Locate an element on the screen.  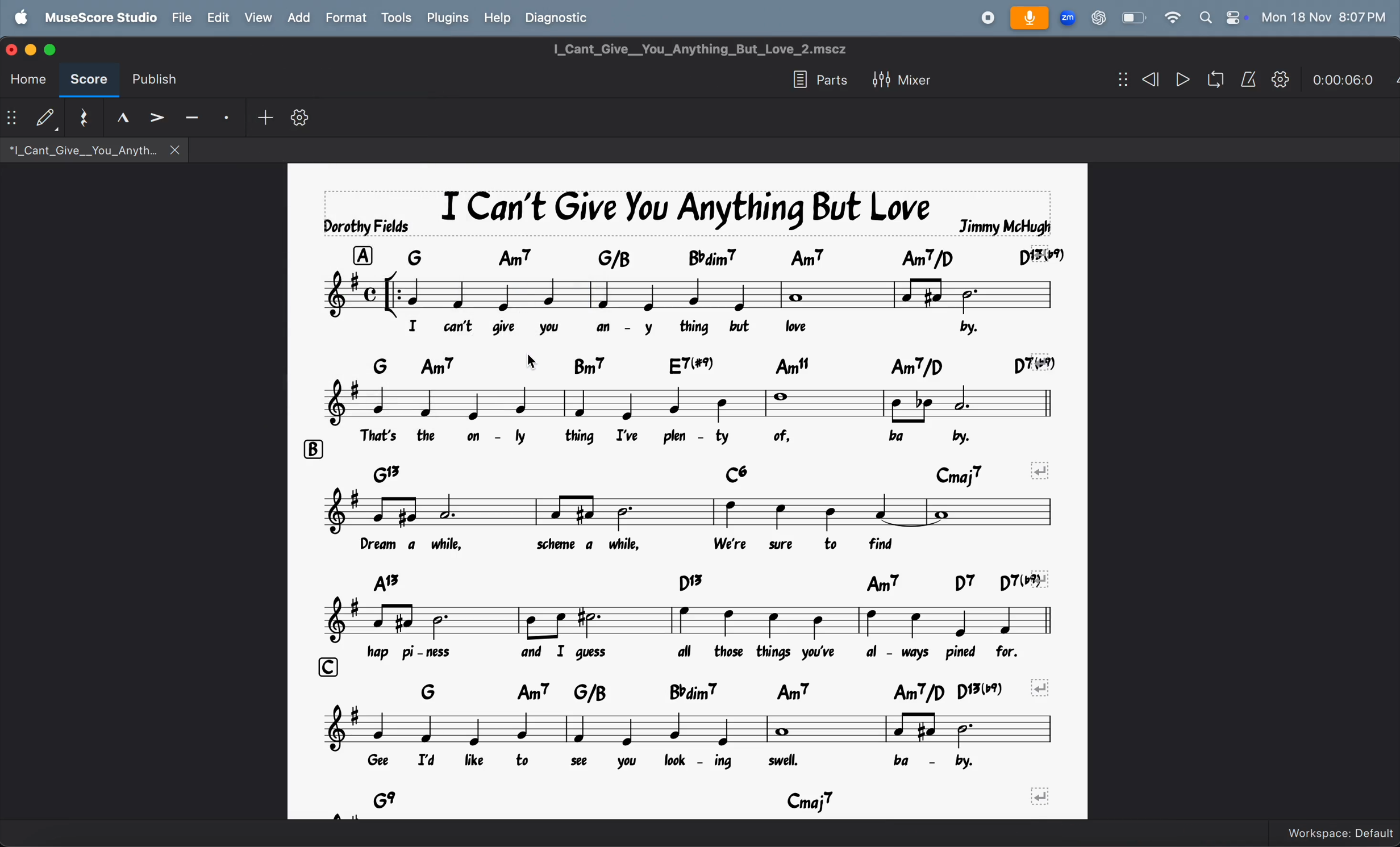
zoom is located at coordinates (1069, 16).